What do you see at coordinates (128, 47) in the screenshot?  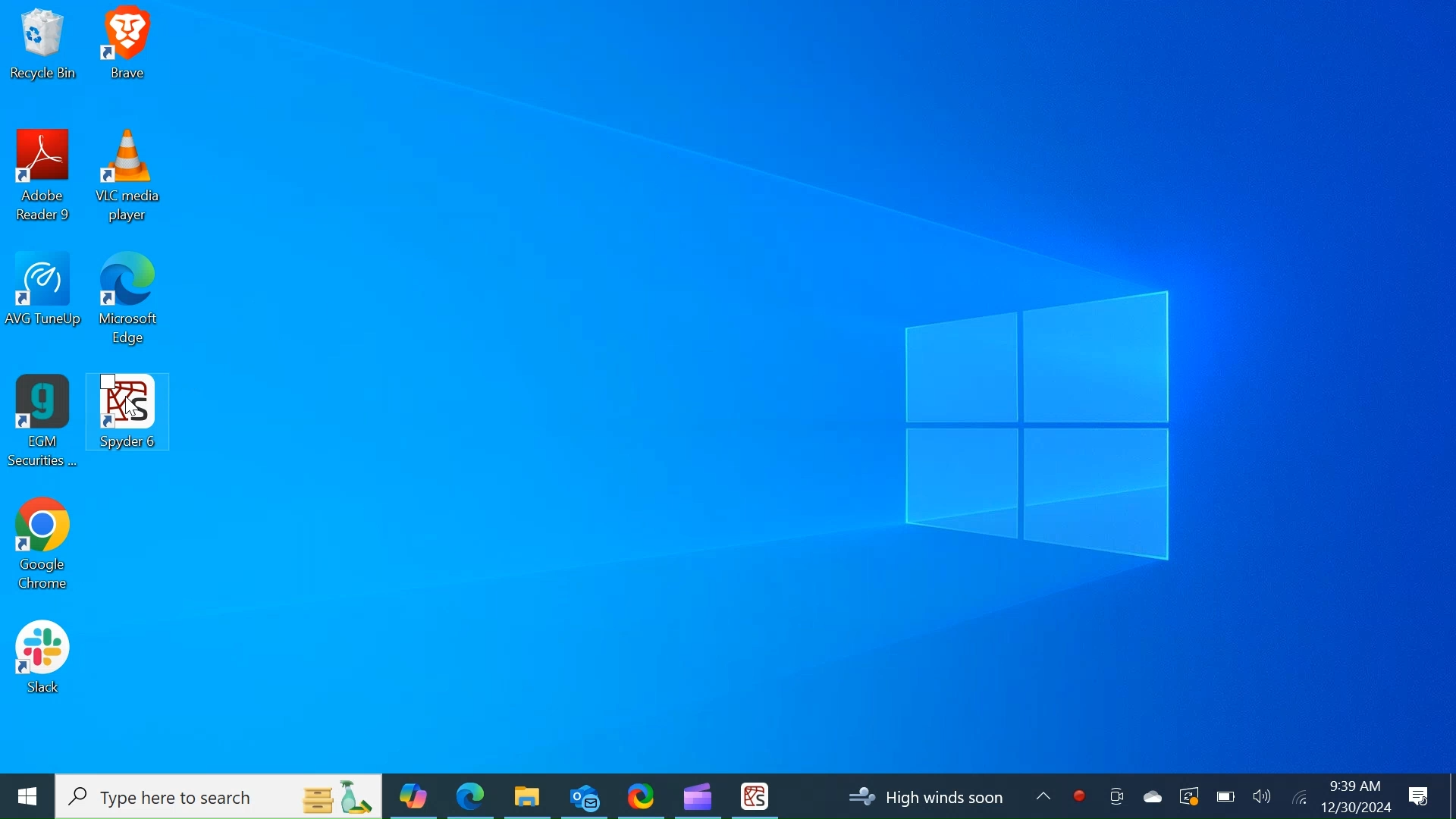 I see `Brave Desktop Icon` at bounding box center [128, 47].